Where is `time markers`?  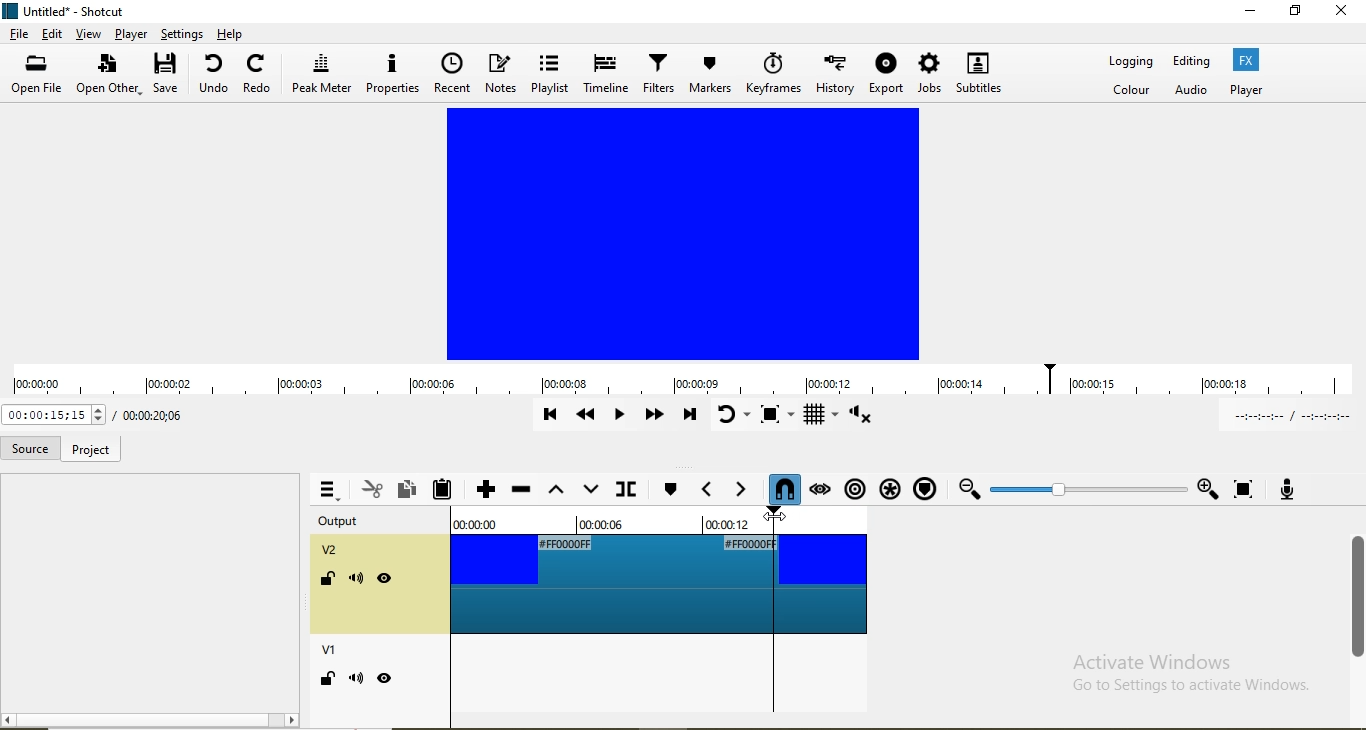 time markers is located at coordinates (655, 519).